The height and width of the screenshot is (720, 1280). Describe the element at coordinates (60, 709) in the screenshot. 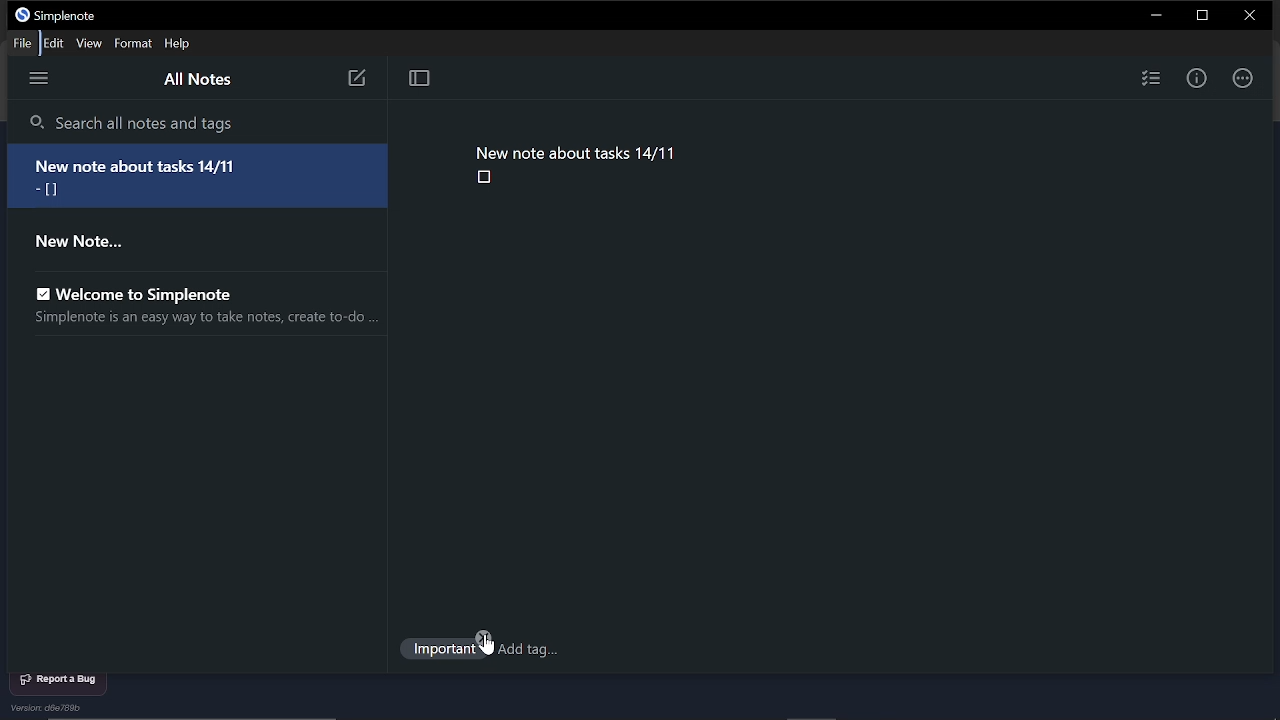

I see `fersion. dbe7880` at that location.